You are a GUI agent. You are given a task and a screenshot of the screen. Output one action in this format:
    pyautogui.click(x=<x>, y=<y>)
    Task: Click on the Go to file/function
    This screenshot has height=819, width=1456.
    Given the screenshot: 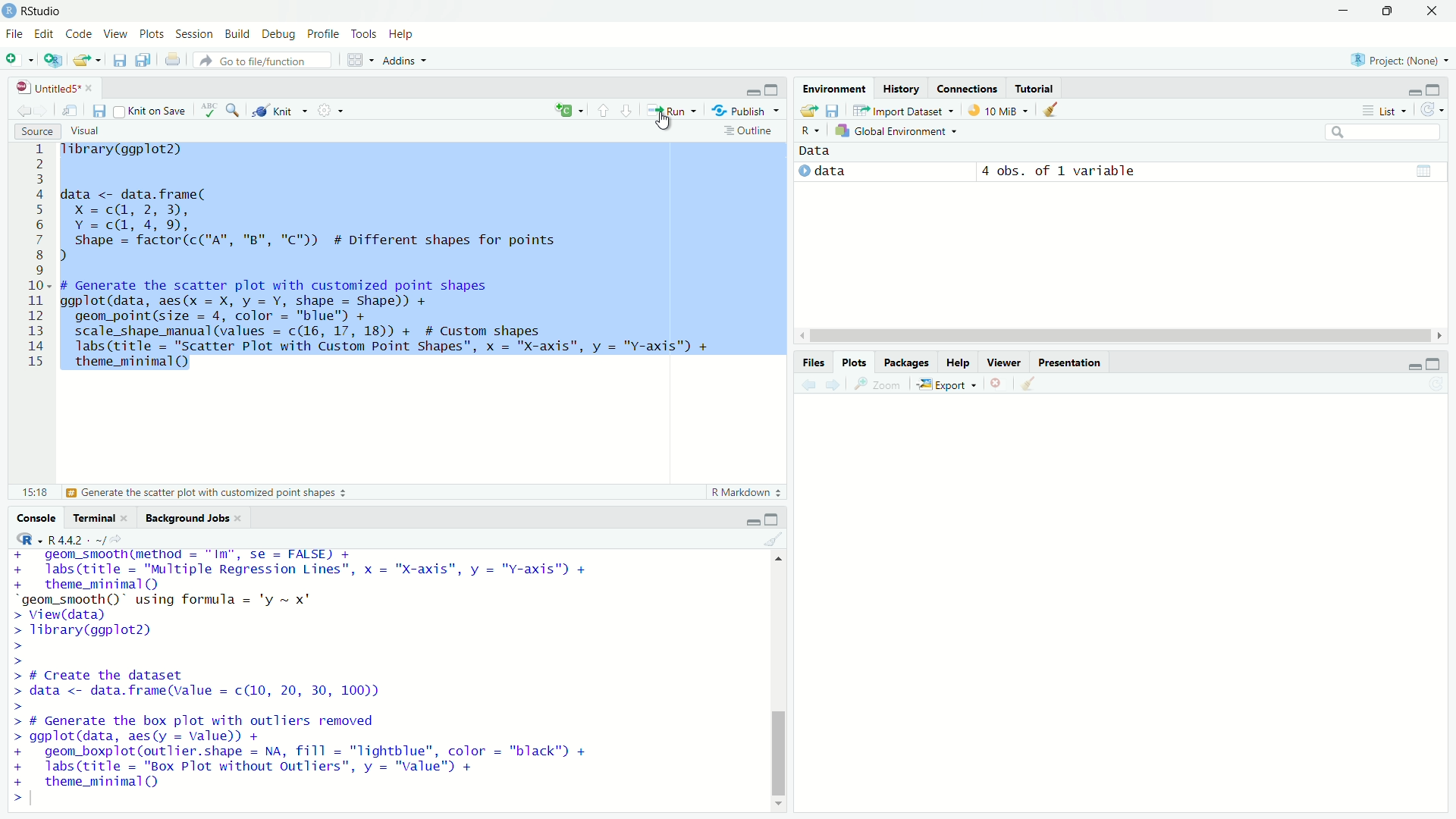 What is the action you would take?
    pyautogui.click(x=262, y=61)
    